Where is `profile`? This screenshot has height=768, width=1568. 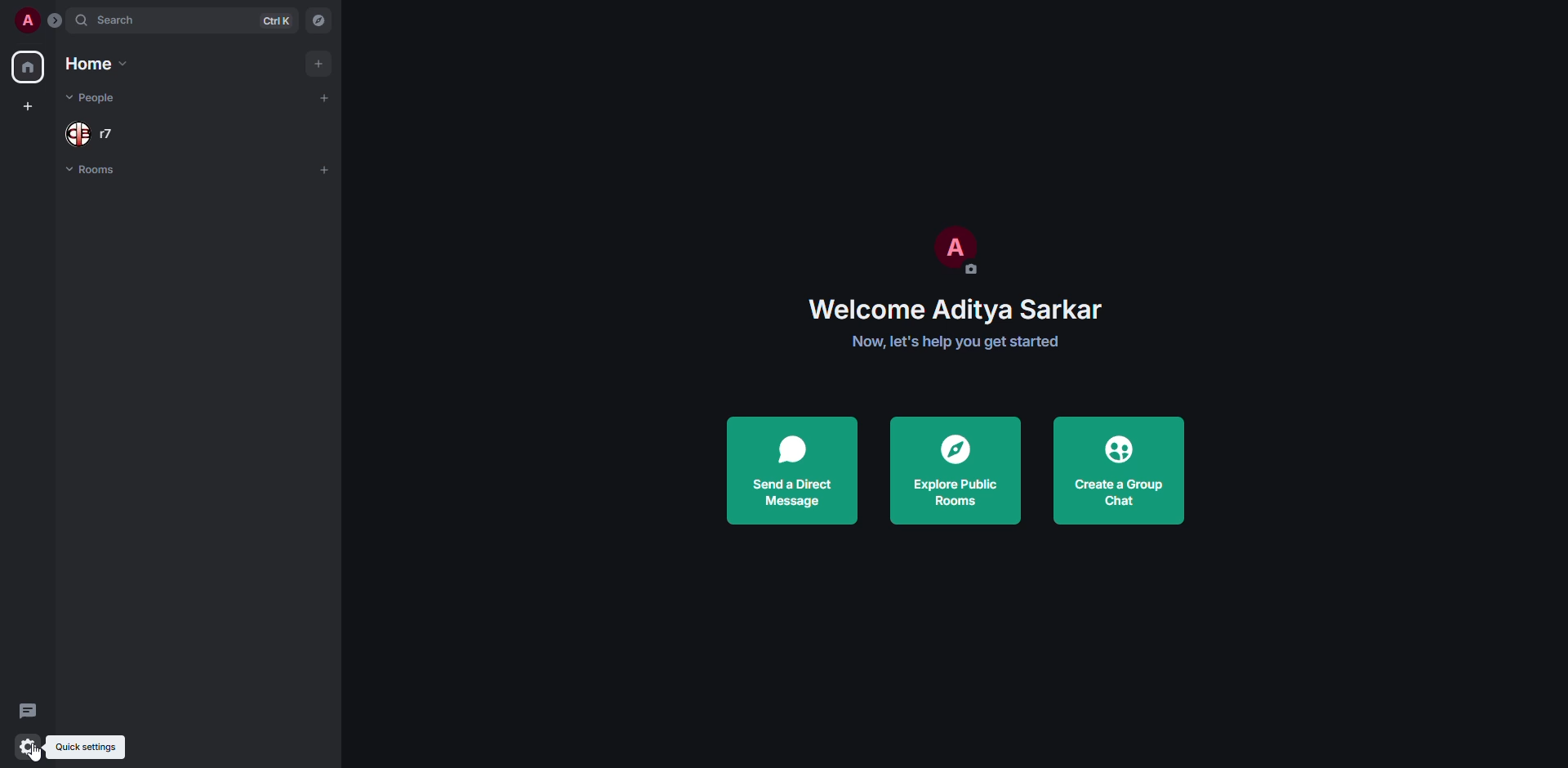 profile is located at coordinates (28, 20).